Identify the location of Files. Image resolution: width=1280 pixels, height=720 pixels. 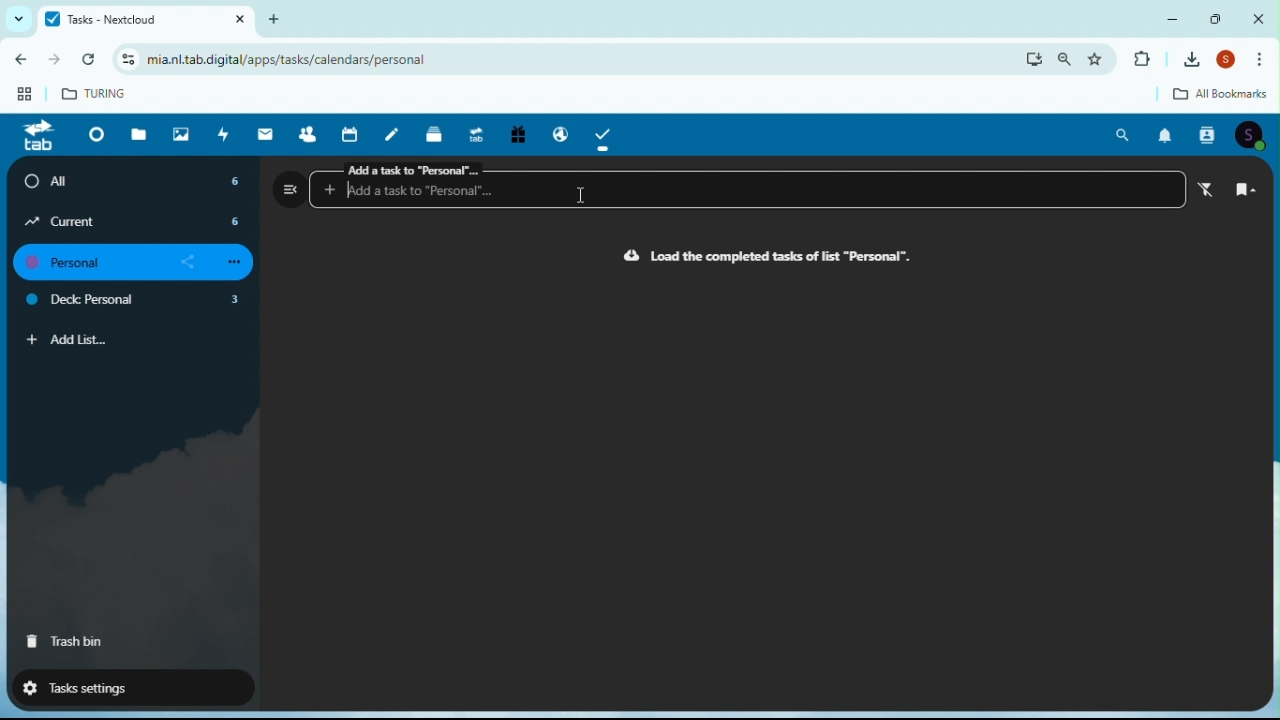
(142, 133).